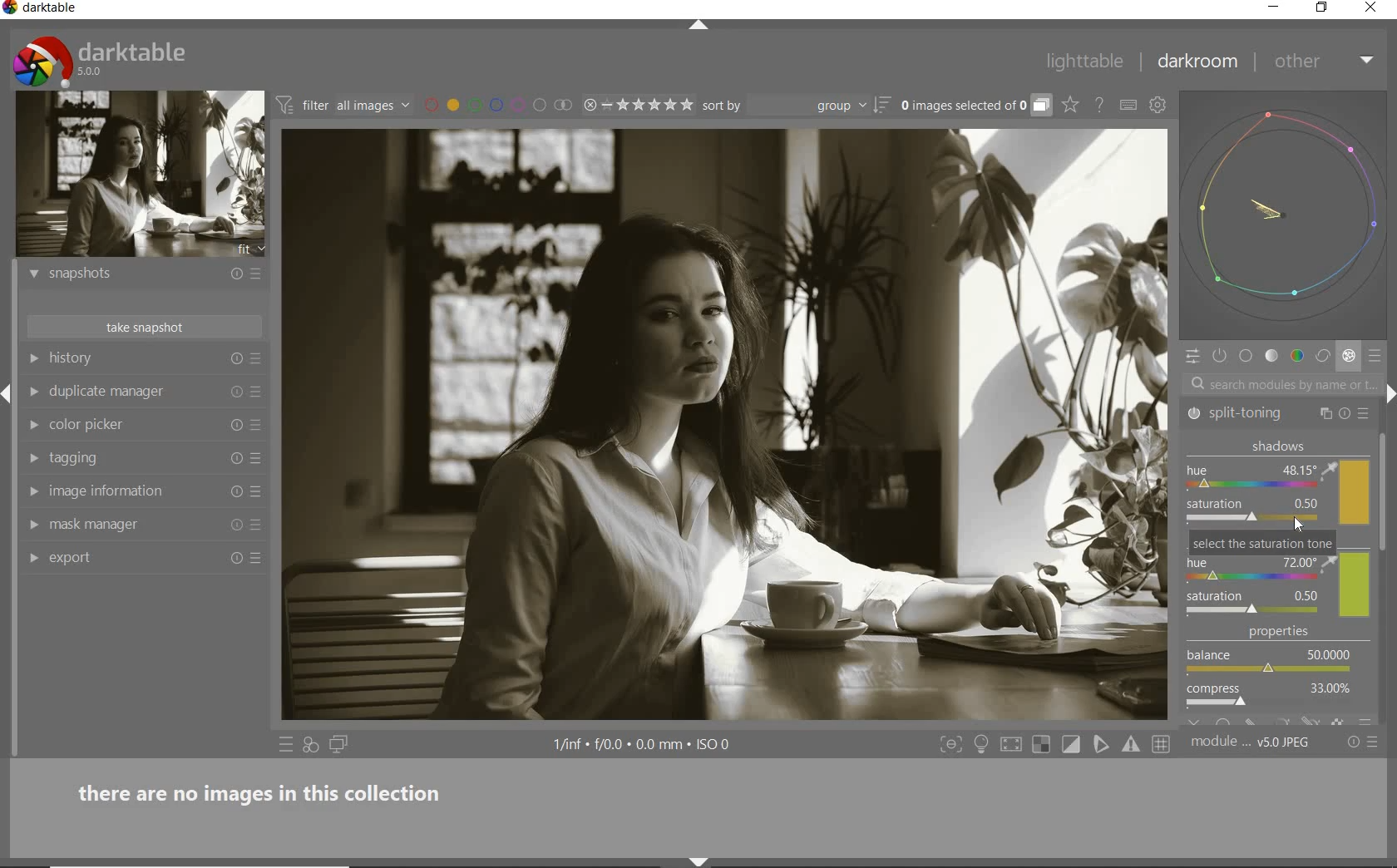 This screenshot has width=1397, height=868. Describe the element at coordinates (269, 791) in the screenshot. I see `there are no images in this collection` at that location.